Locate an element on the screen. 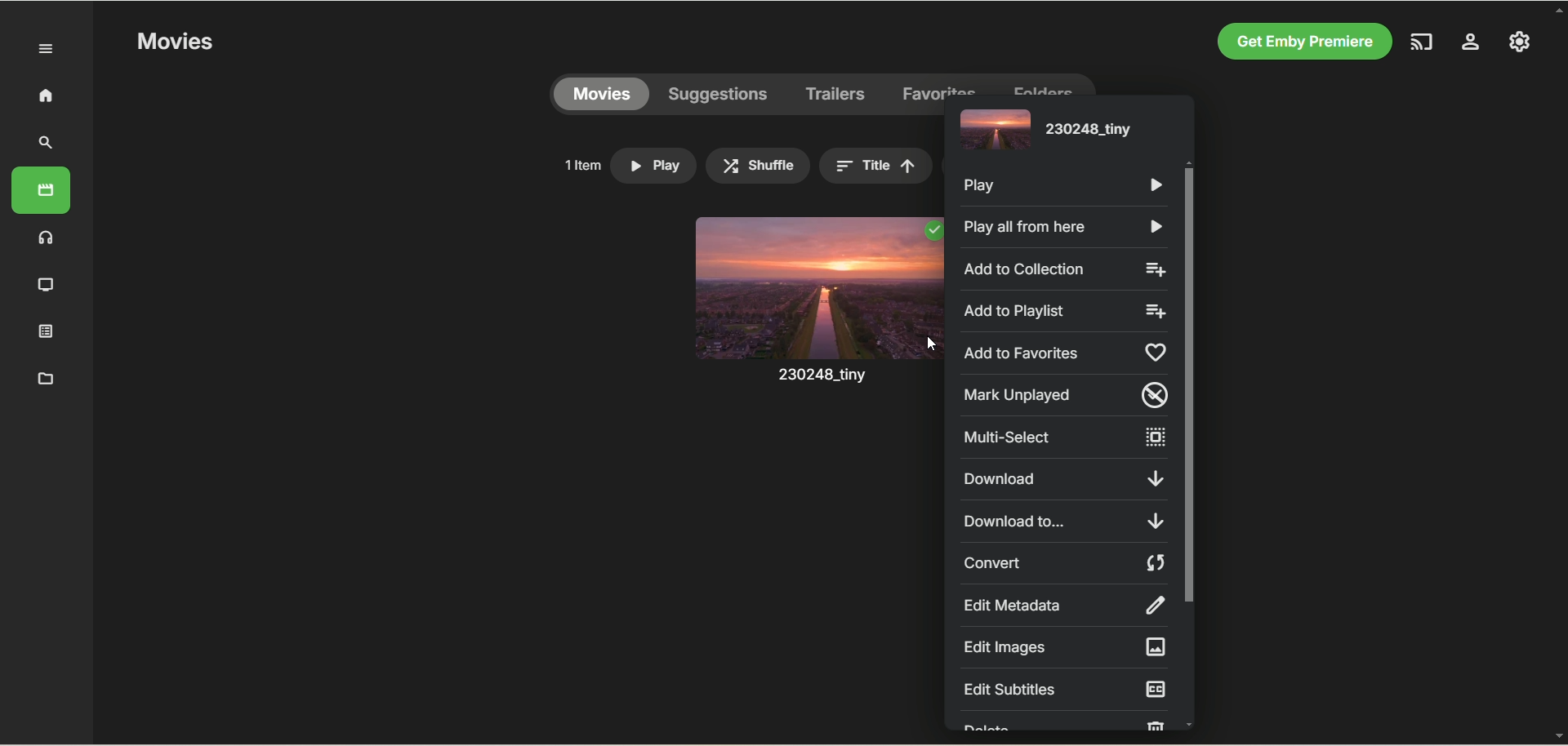 Image resolution: width=1568 pixels, height=746 pixels. movies is located at coordinates (174, 42).